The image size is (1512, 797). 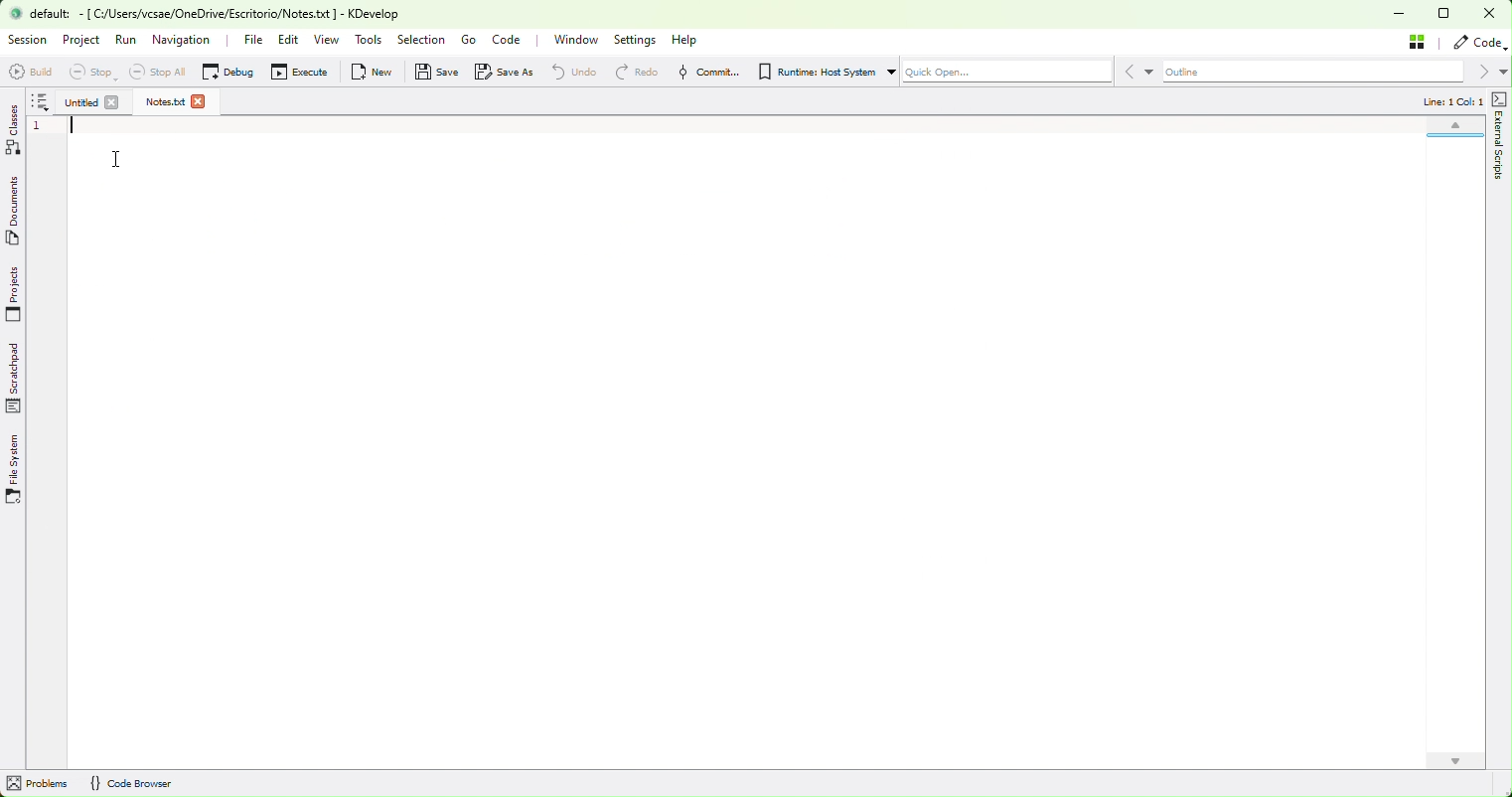 What do you see at coordinates (165, 73) in the screenshot?
I see `Stop all` at bounding box center [165, 73].